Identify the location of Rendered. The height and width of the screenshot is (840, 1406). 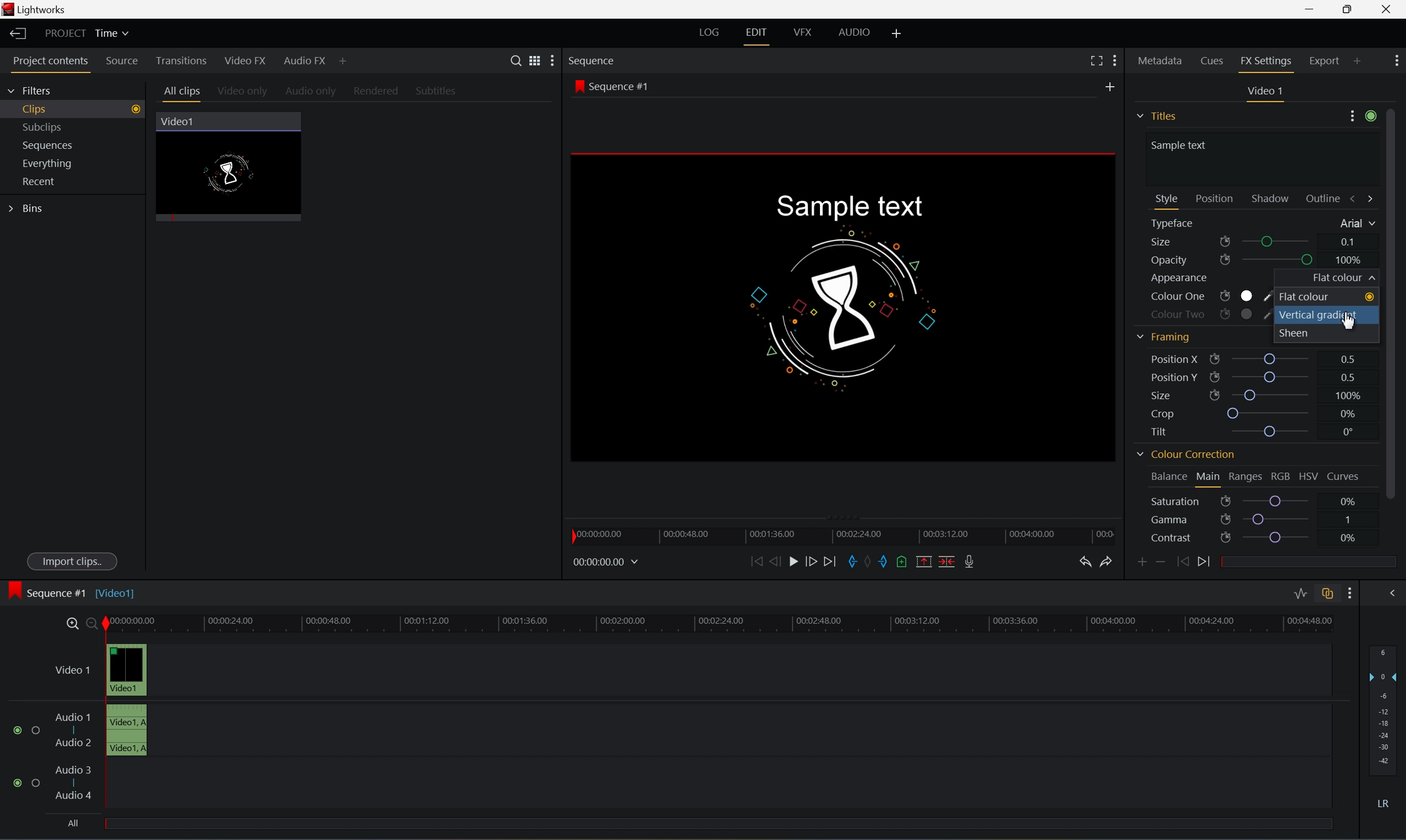
(379, 92).